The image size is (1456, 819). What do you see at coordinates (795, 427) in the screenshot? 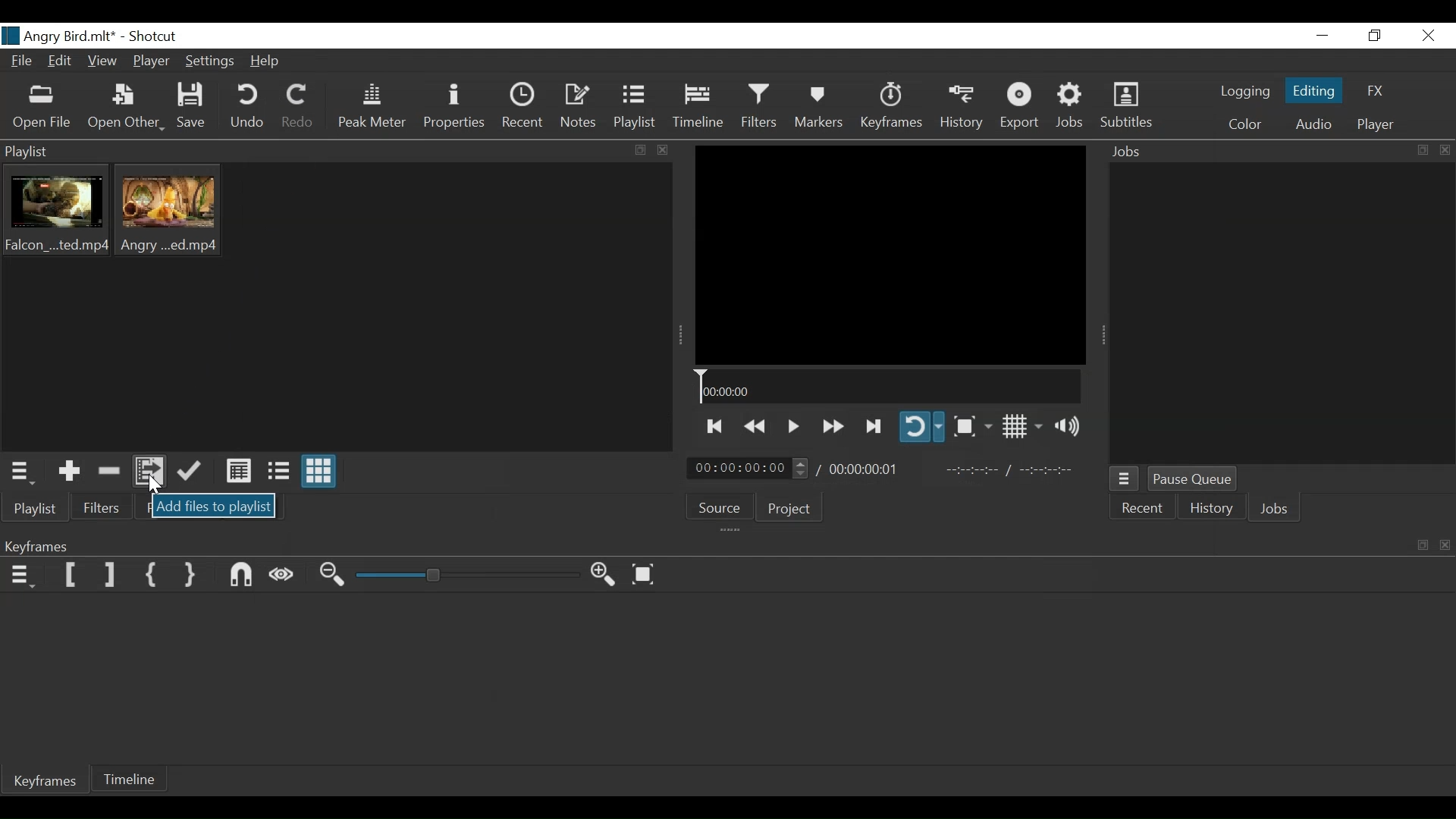
I see `Toggle play or pause` at bounding box center [795, 427].